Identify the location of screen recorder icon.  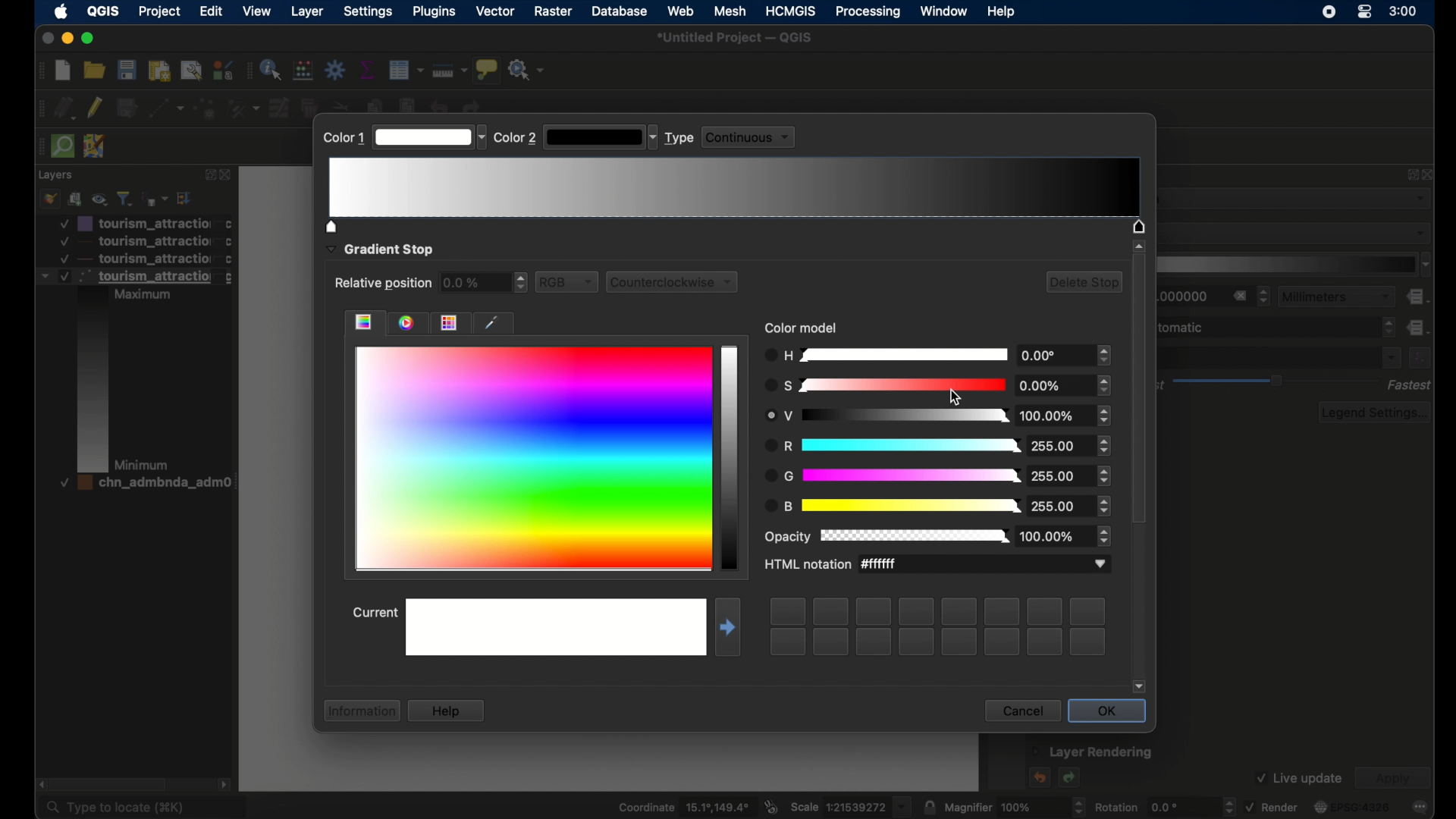
(1329, 14).